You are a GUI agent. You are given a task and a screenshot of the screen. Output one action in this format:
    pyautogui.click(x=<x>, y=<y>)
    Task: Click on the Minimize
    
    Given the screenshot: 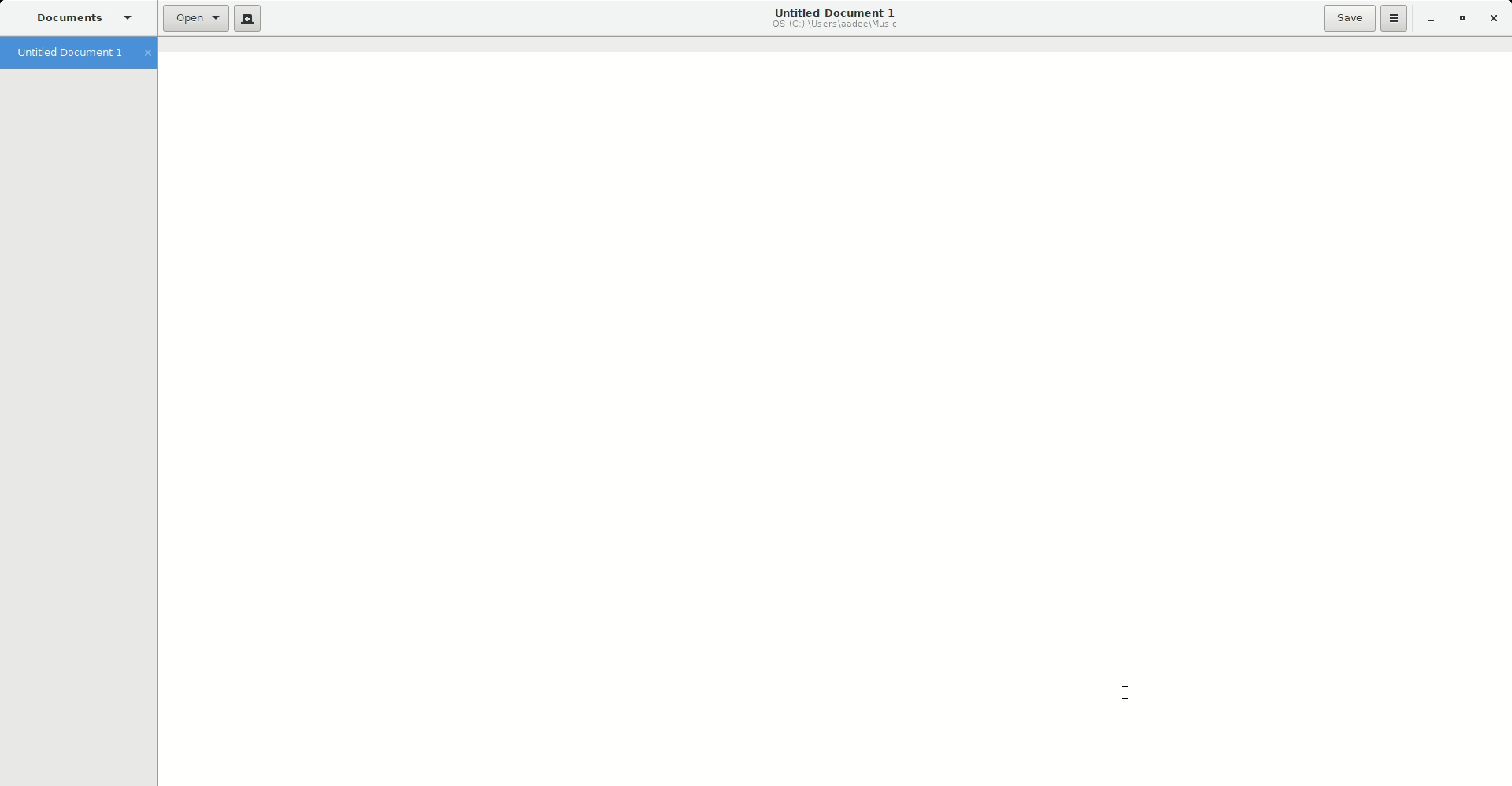 What is the action you would take?
    pyautogui.click(x=1430, y=19)
    